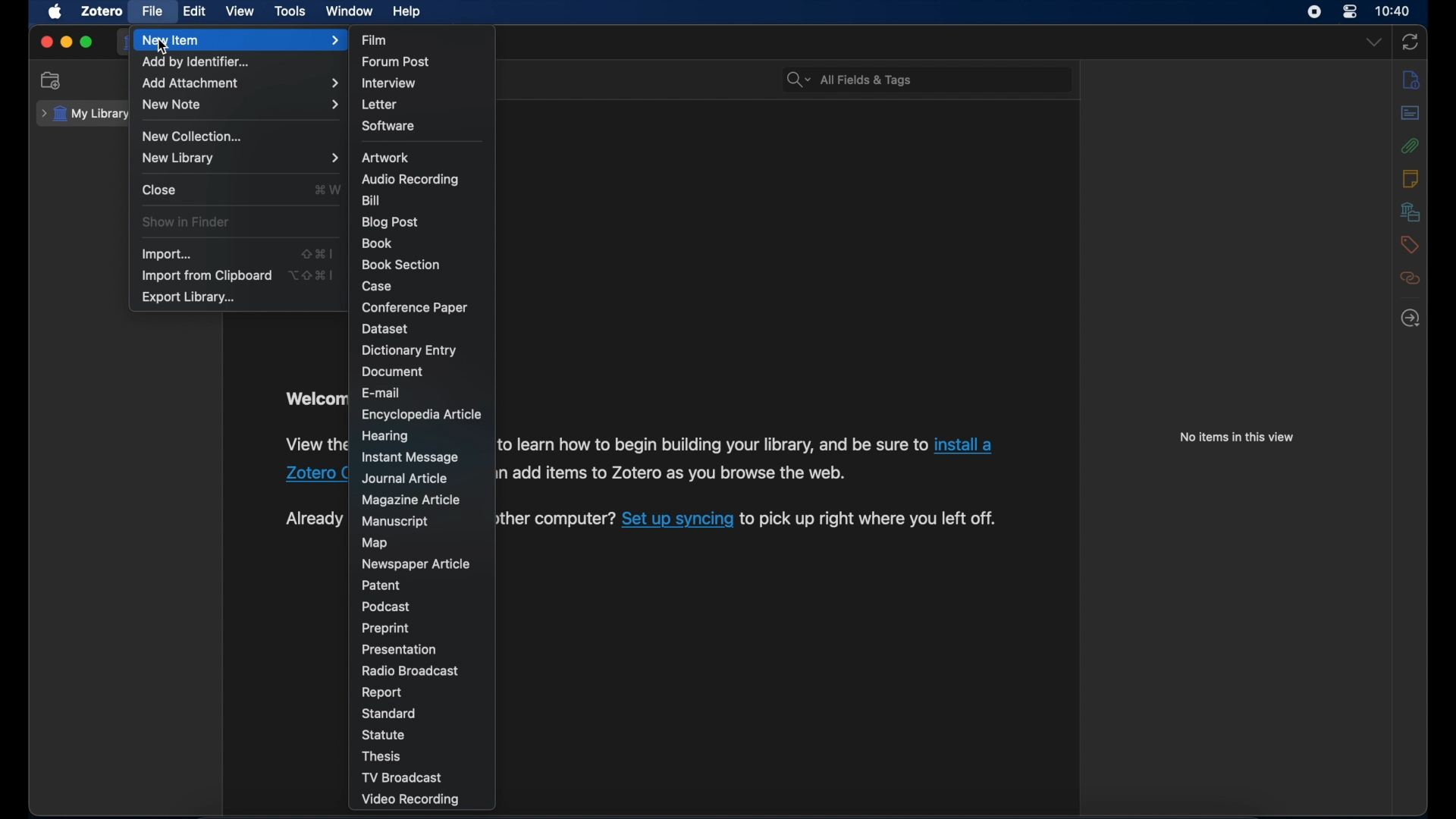 This screenshot has height=819, width=1456. What do you see at coordinates (385, 158) in the screenshot?
I see `artwork` at bounding box center [385, 158].